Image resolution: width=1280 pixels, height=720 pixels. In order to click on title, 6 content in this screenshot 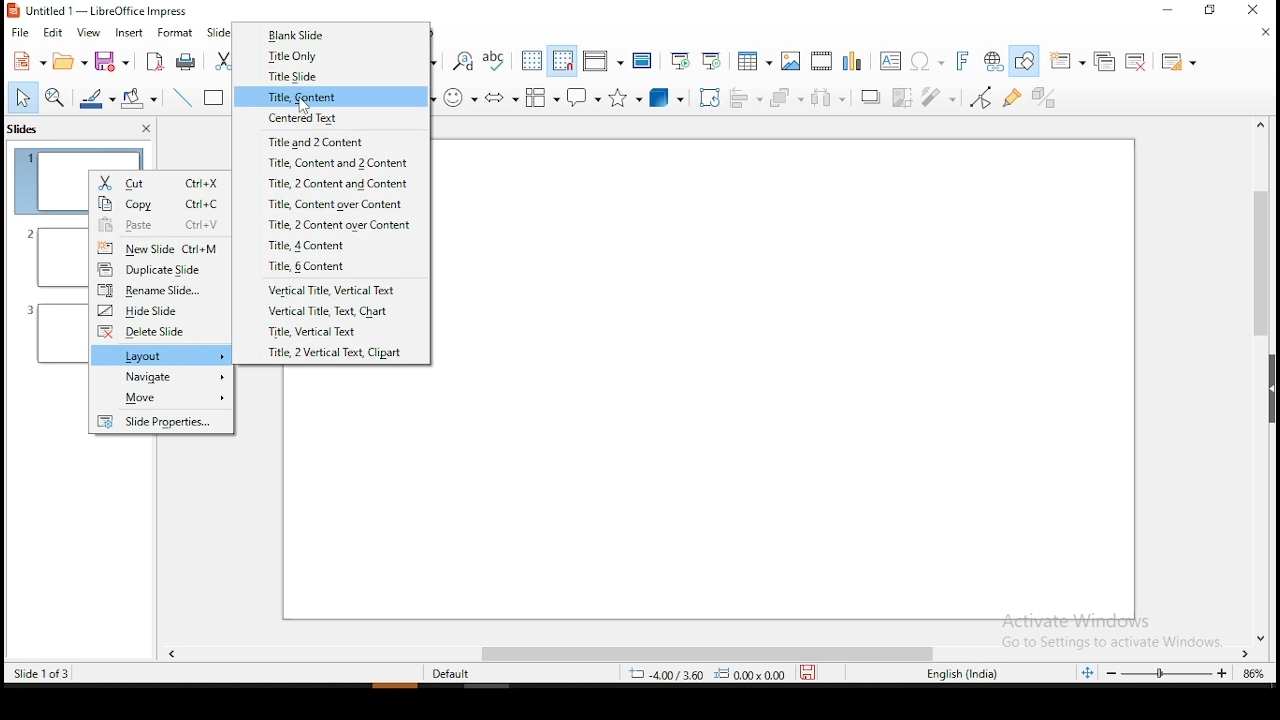, I will do `click(336, 266)`.